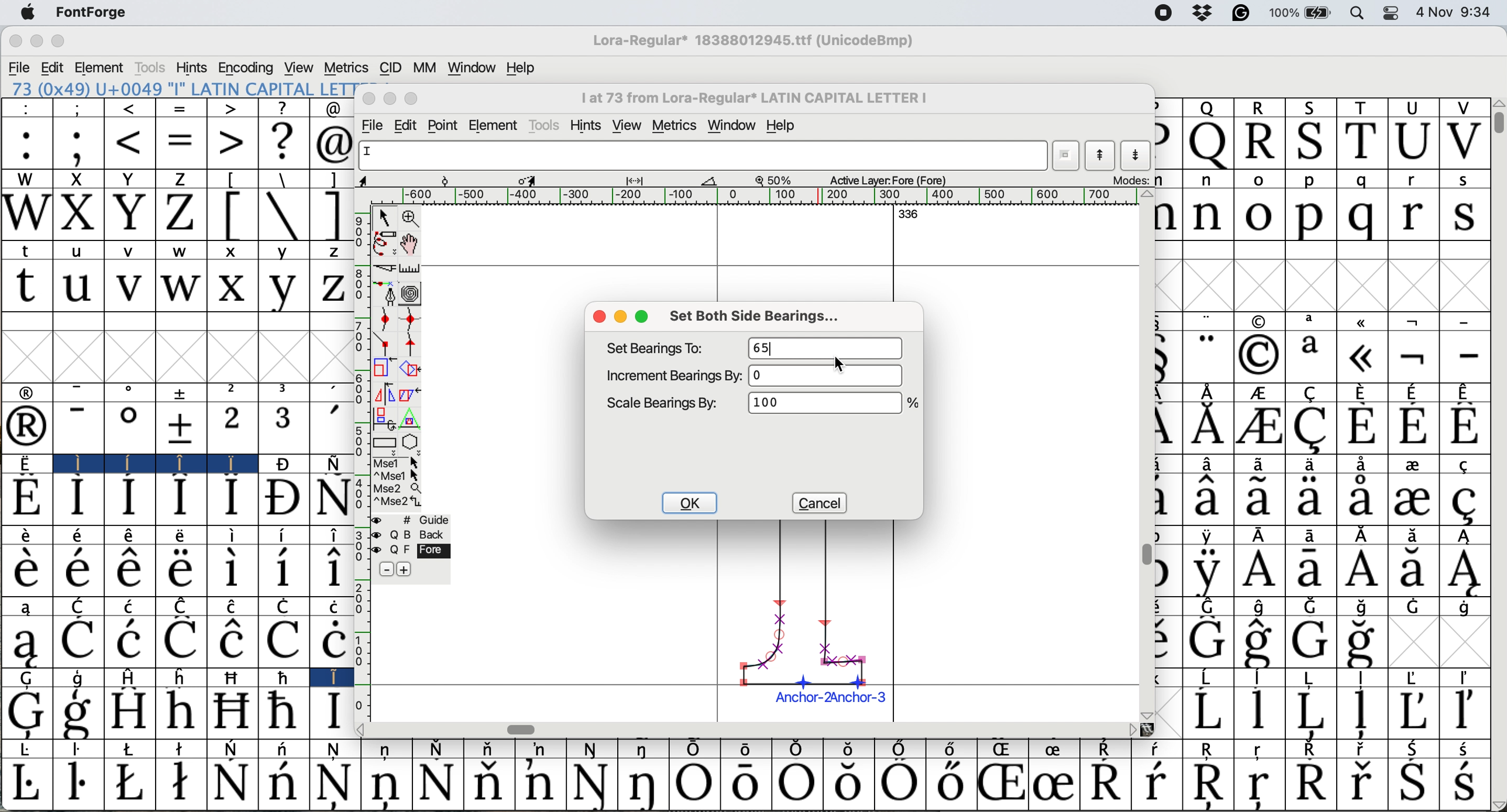  Describe the element at coordinates (1129, 729) in the screenshot. I see `` at that location.